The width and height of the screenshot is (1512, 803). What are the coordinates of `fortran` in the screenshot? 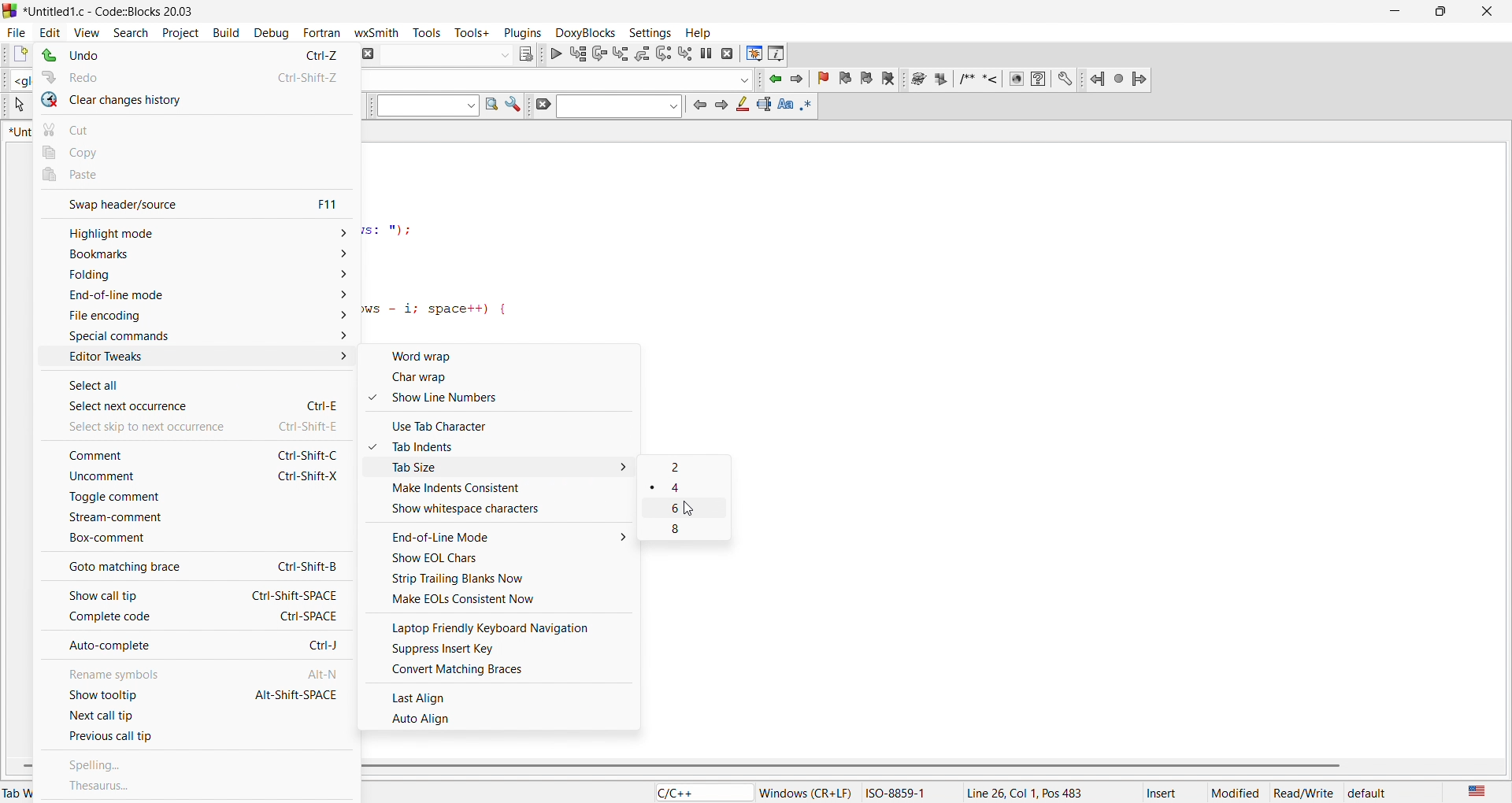 It's located at (323, 31).